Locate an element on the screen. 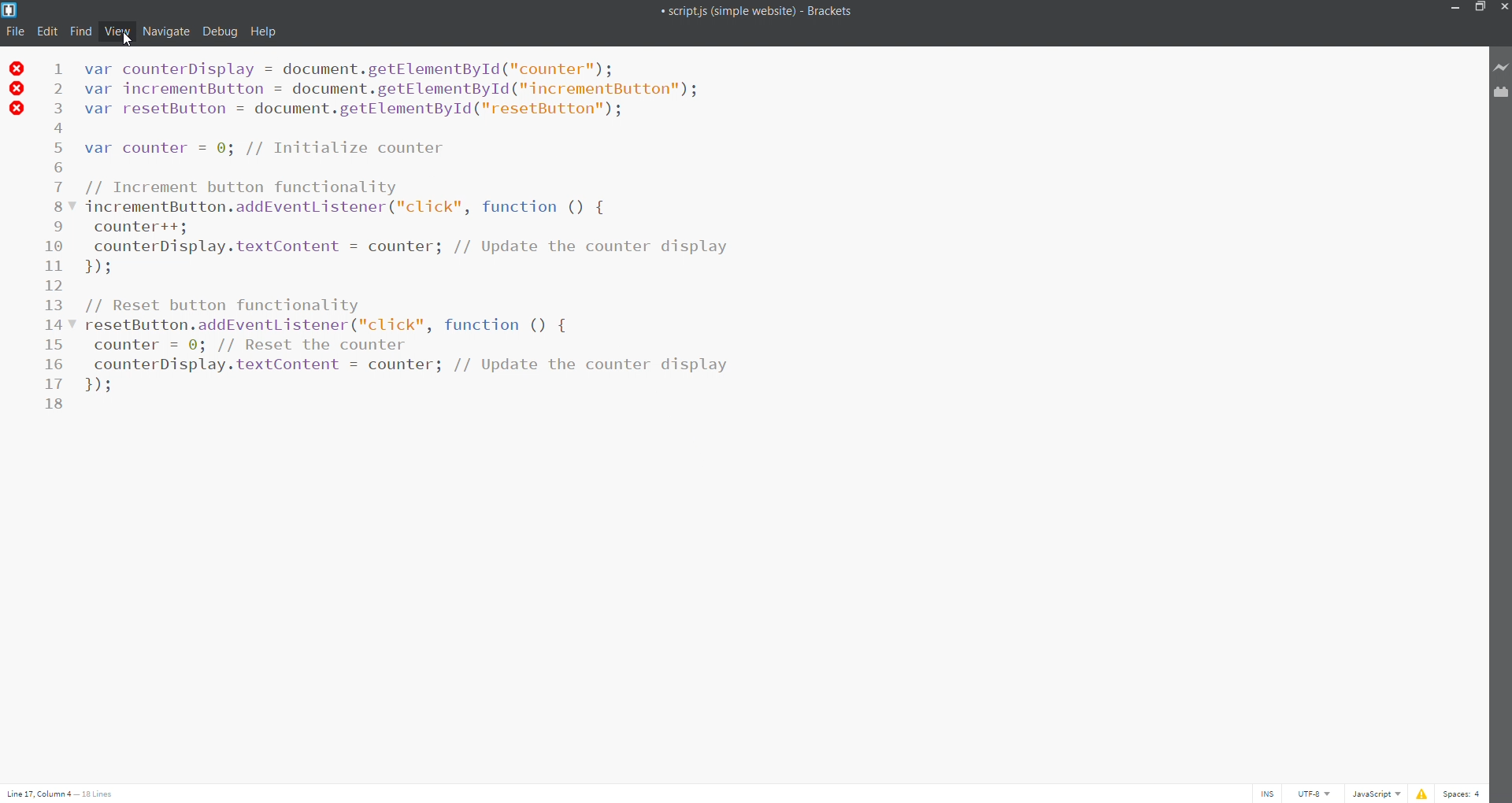  Increment and Reset button Functionality Code is located at coordinates (408, 228).